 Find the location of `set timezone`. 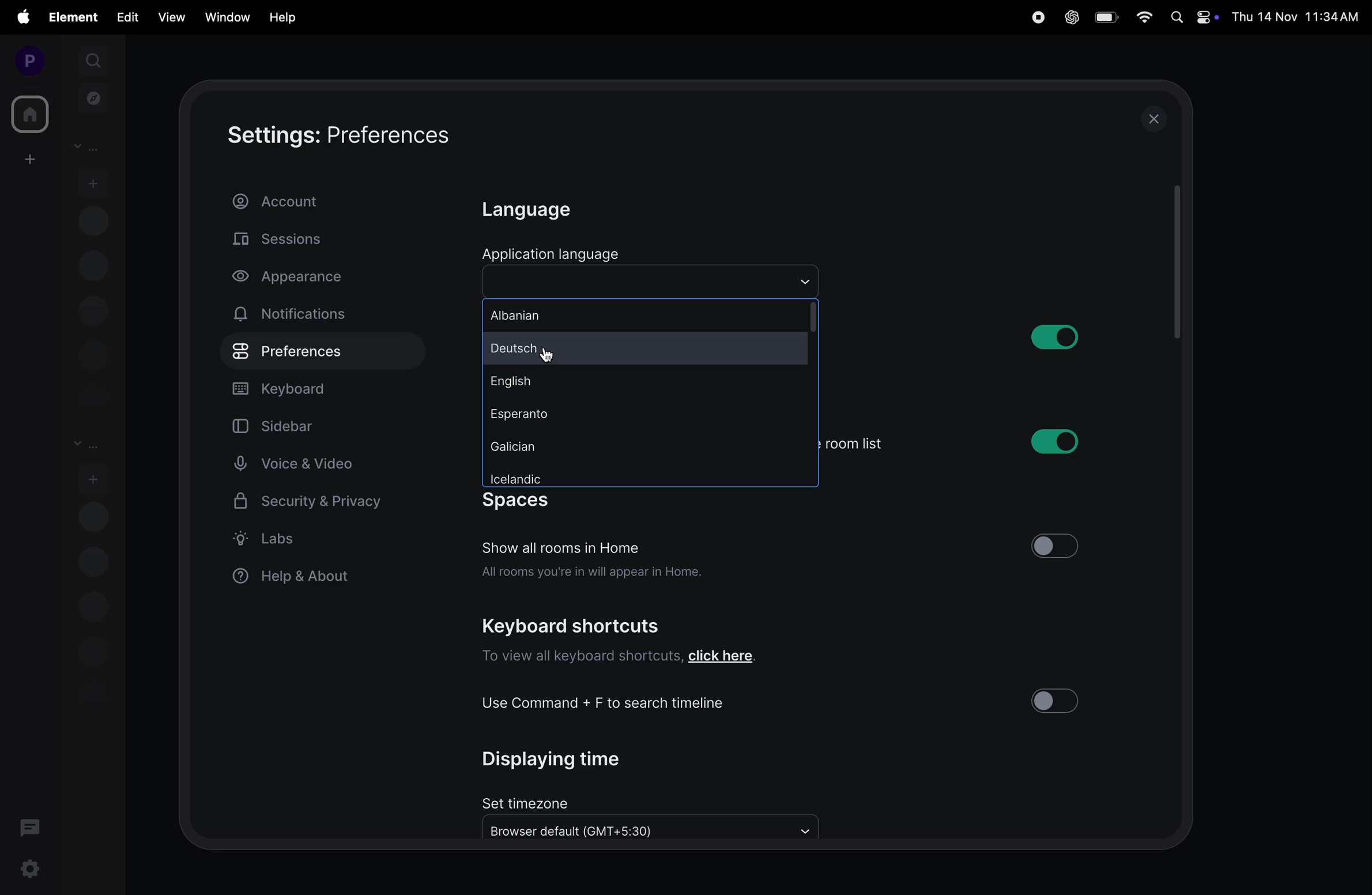

set timezone is located at coordinates (602, 813).